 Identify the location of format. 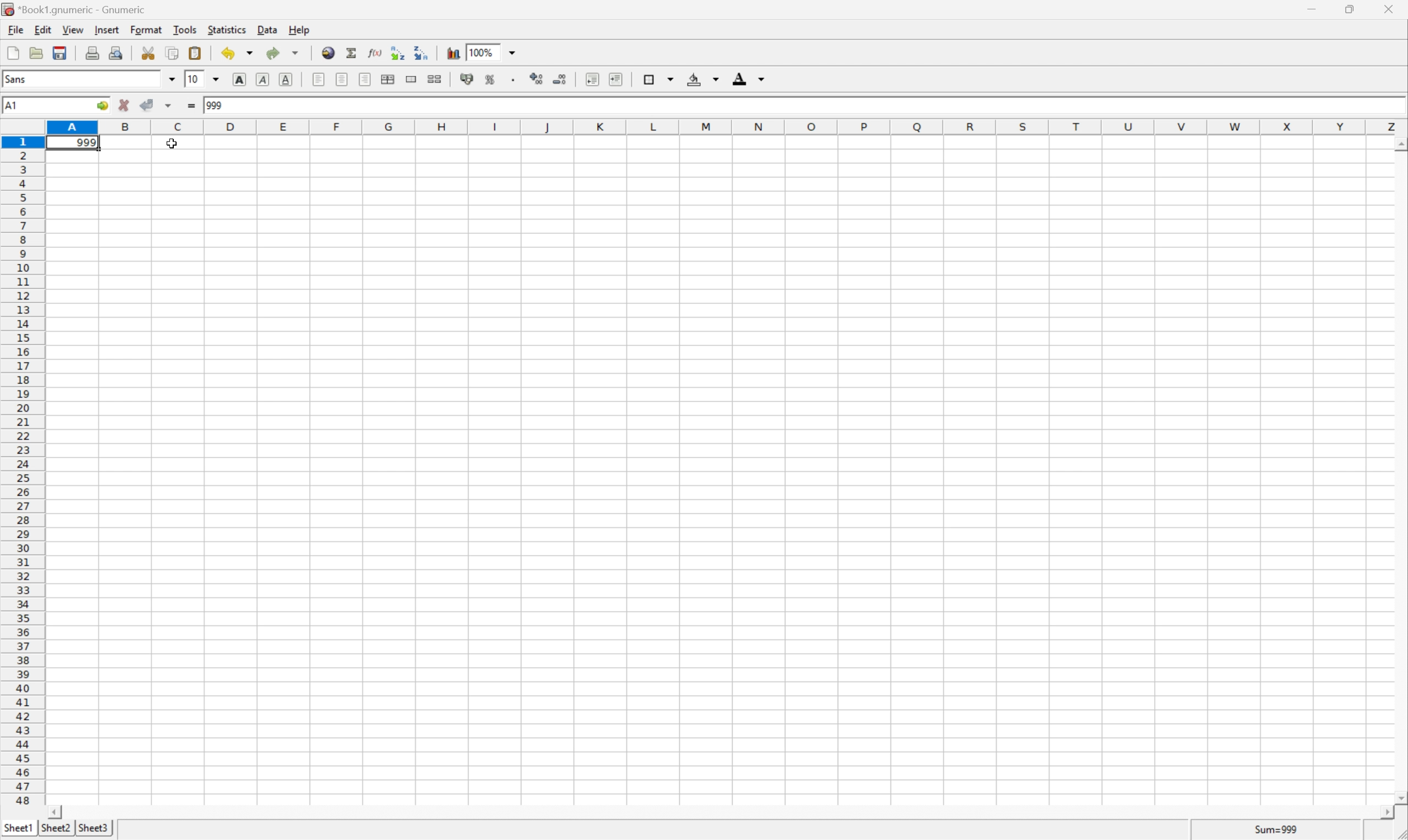
(147, 29).